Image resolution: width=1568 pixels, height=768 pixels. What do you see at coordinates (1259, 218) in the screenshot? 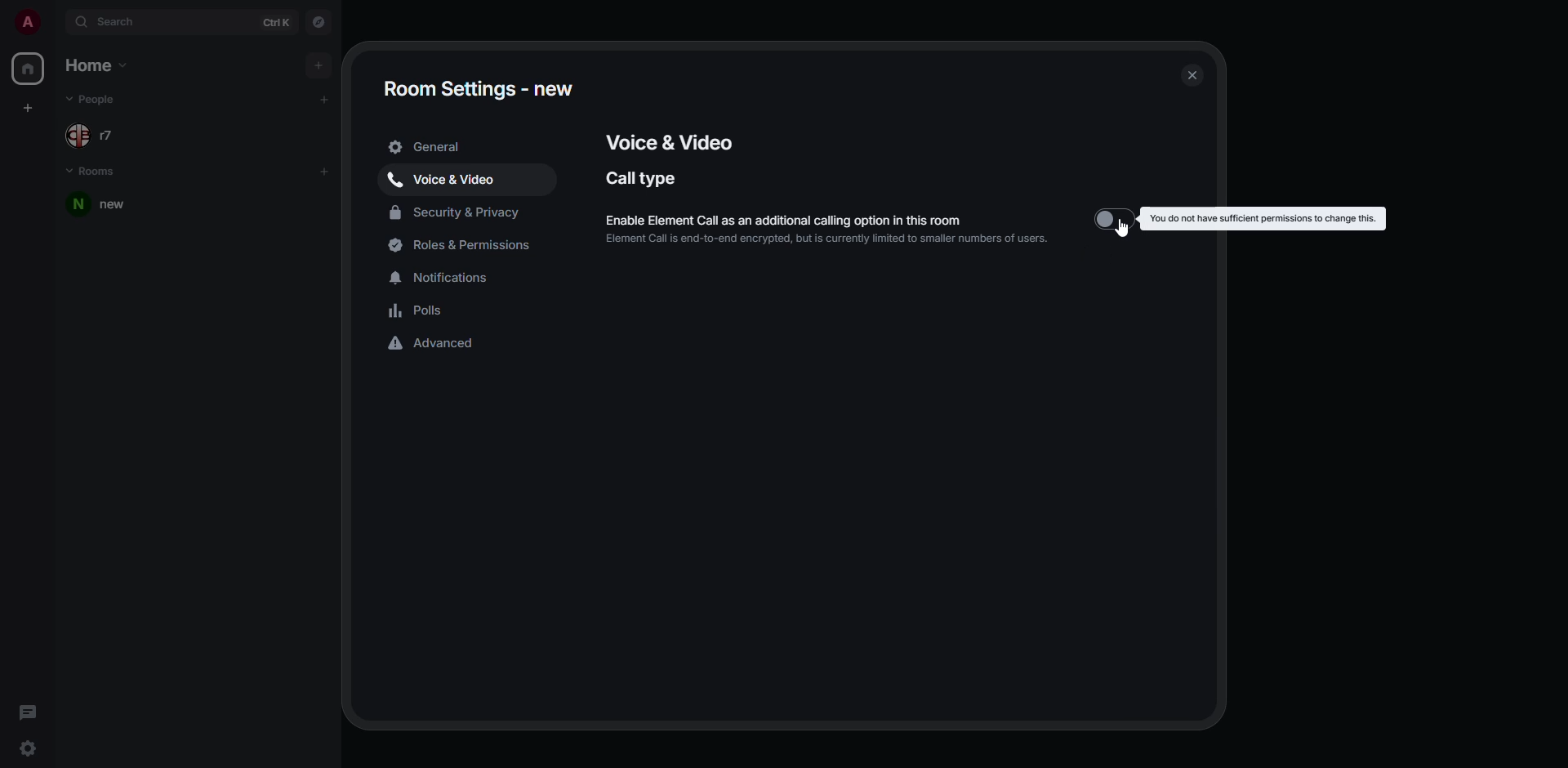
I see `you do not have permission to change this` at bounding box center [1259, 218].